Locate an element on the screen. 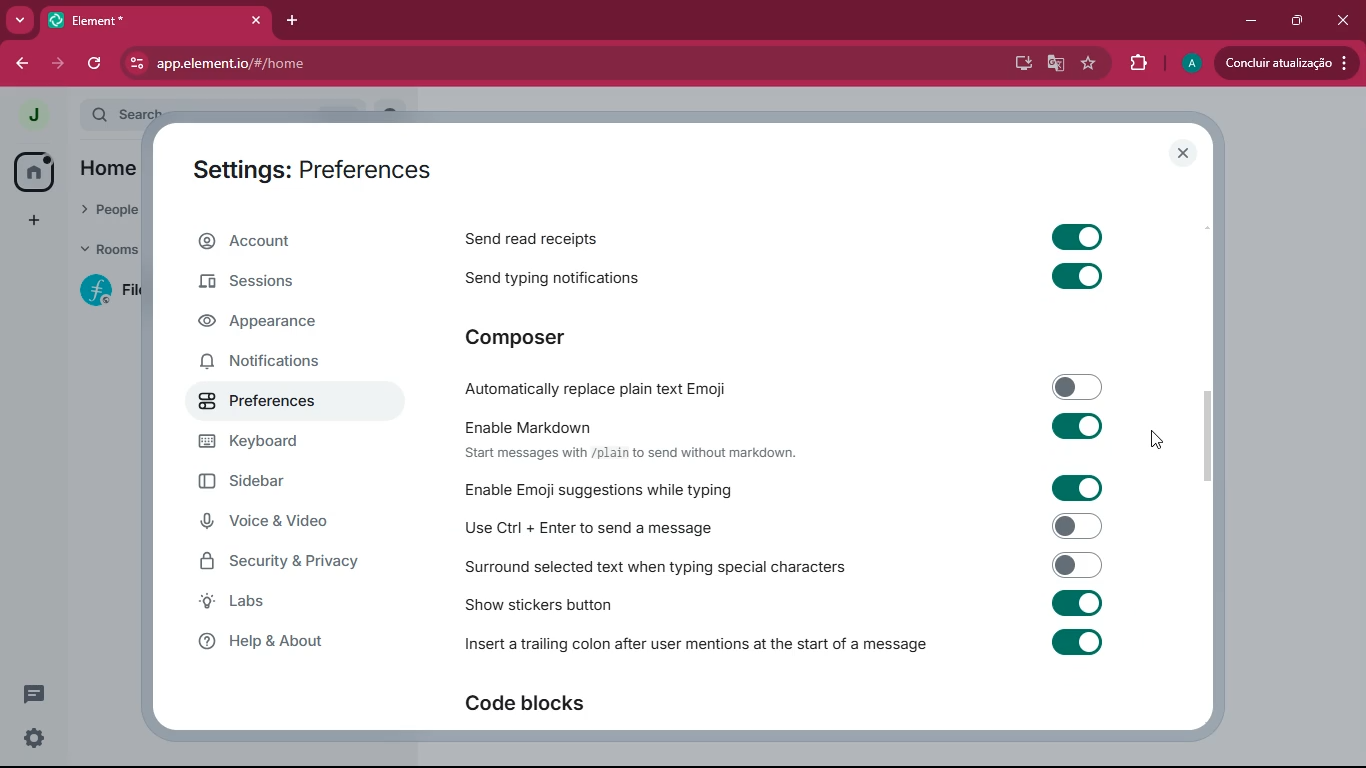 The width and height of the screenshot is (1366, 768). cursor is located at coordinates (1158, 443).